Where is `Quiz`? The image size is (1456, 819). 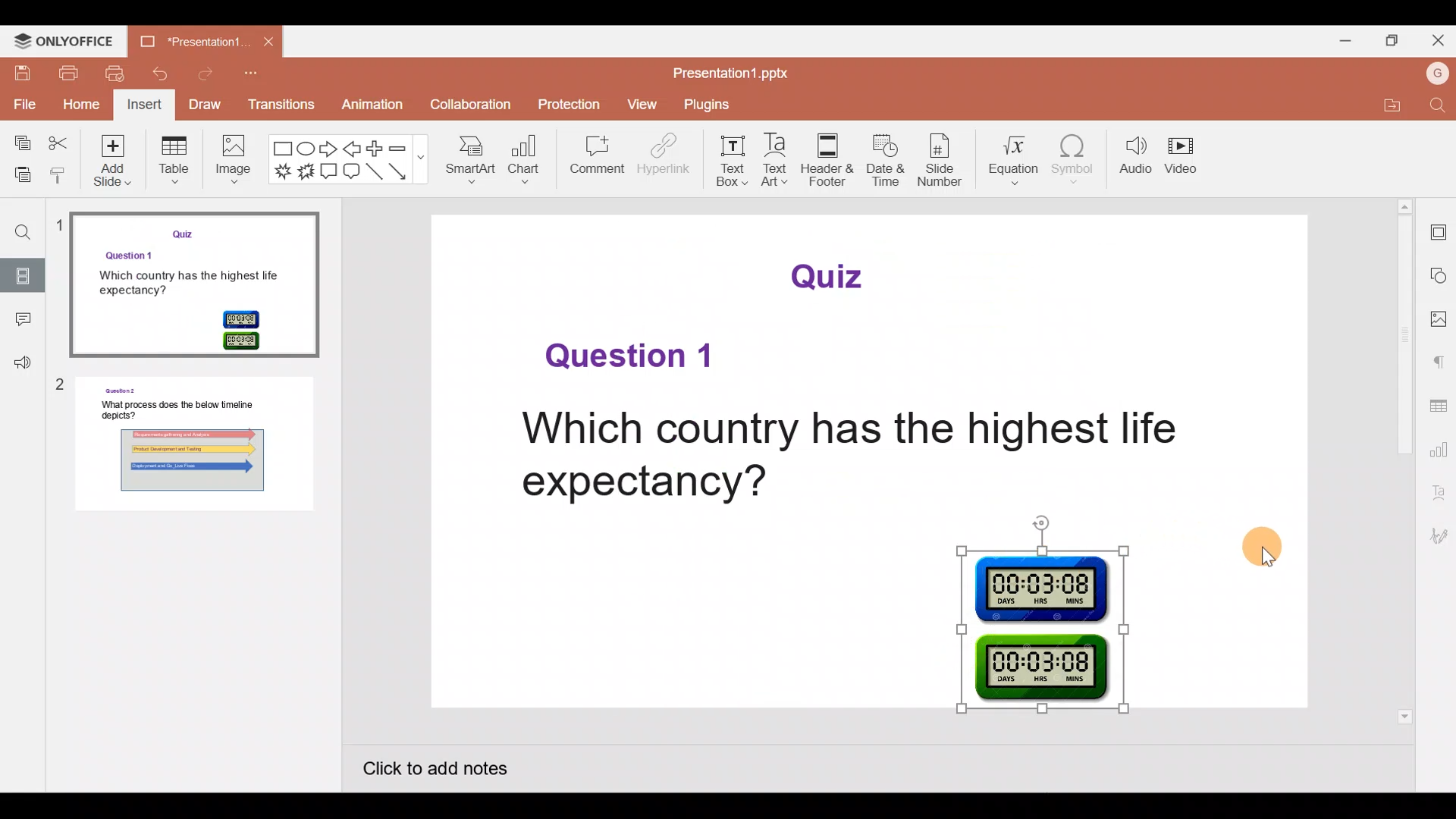 Quiz is located at coordinates (833, 275).